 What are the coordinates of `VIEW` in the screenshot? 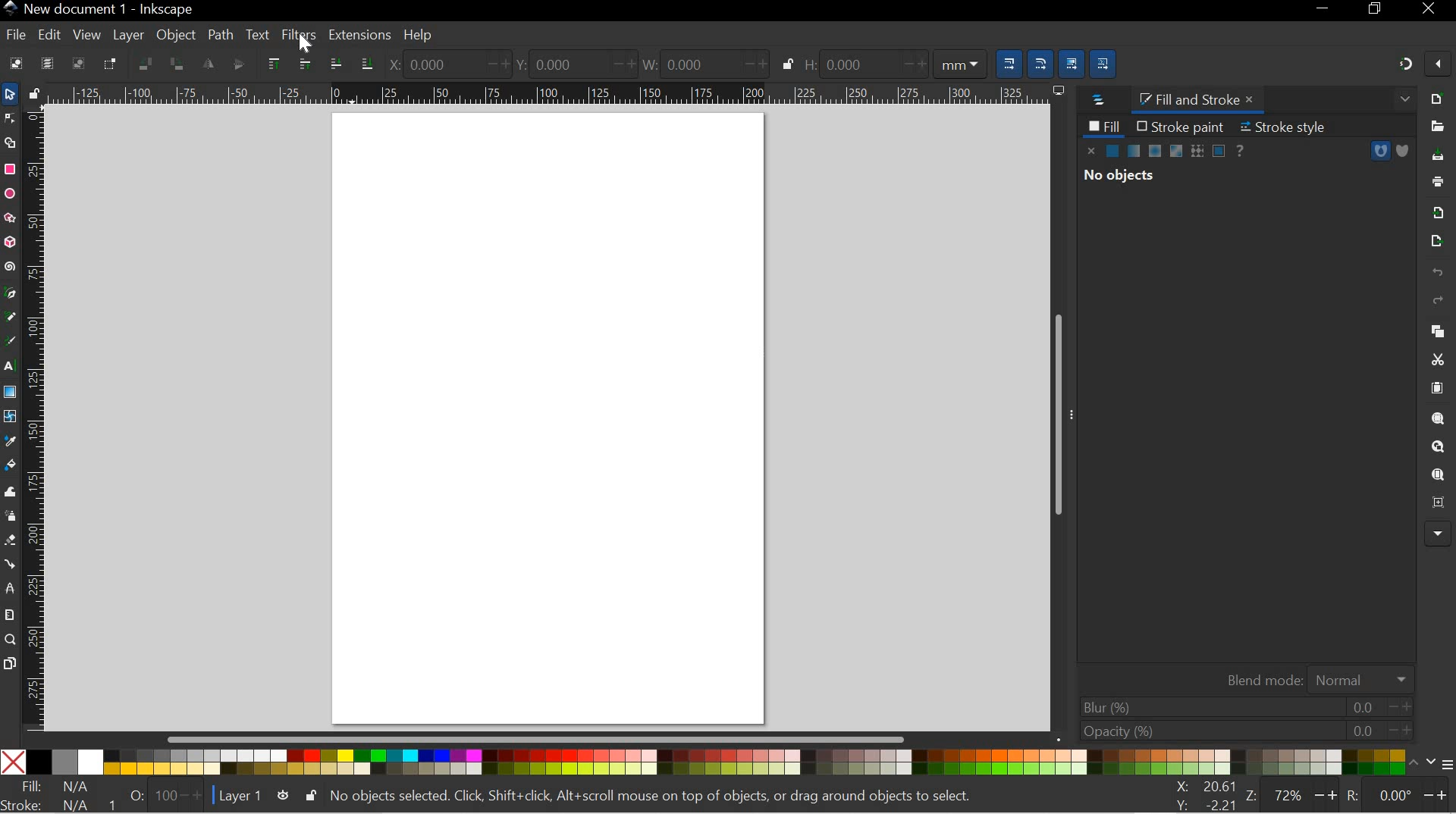 It's located at (85, 34).